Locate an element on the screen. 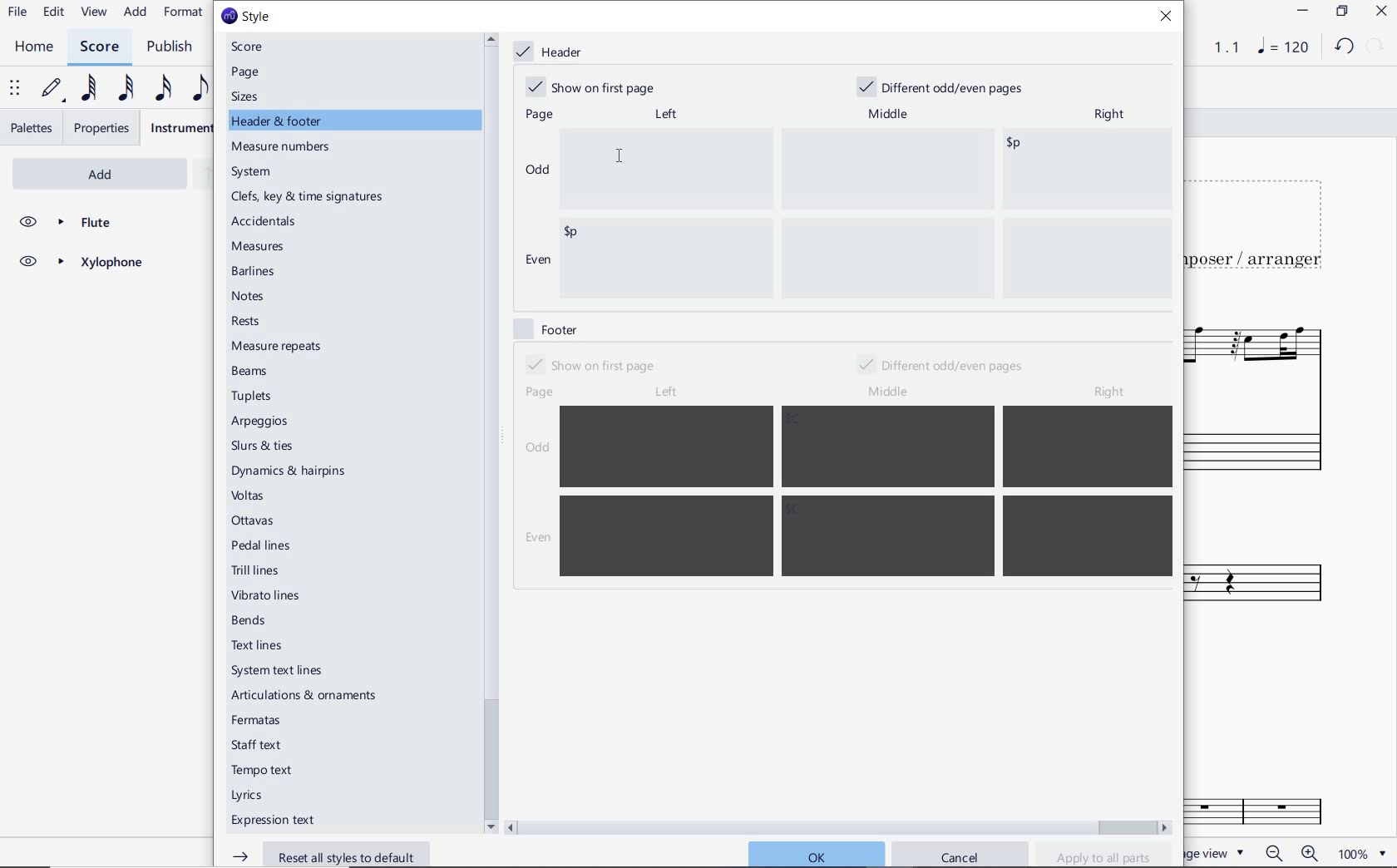 This screenshot has width=1397, height=868. SCORE is located at coordinates (98, 46).